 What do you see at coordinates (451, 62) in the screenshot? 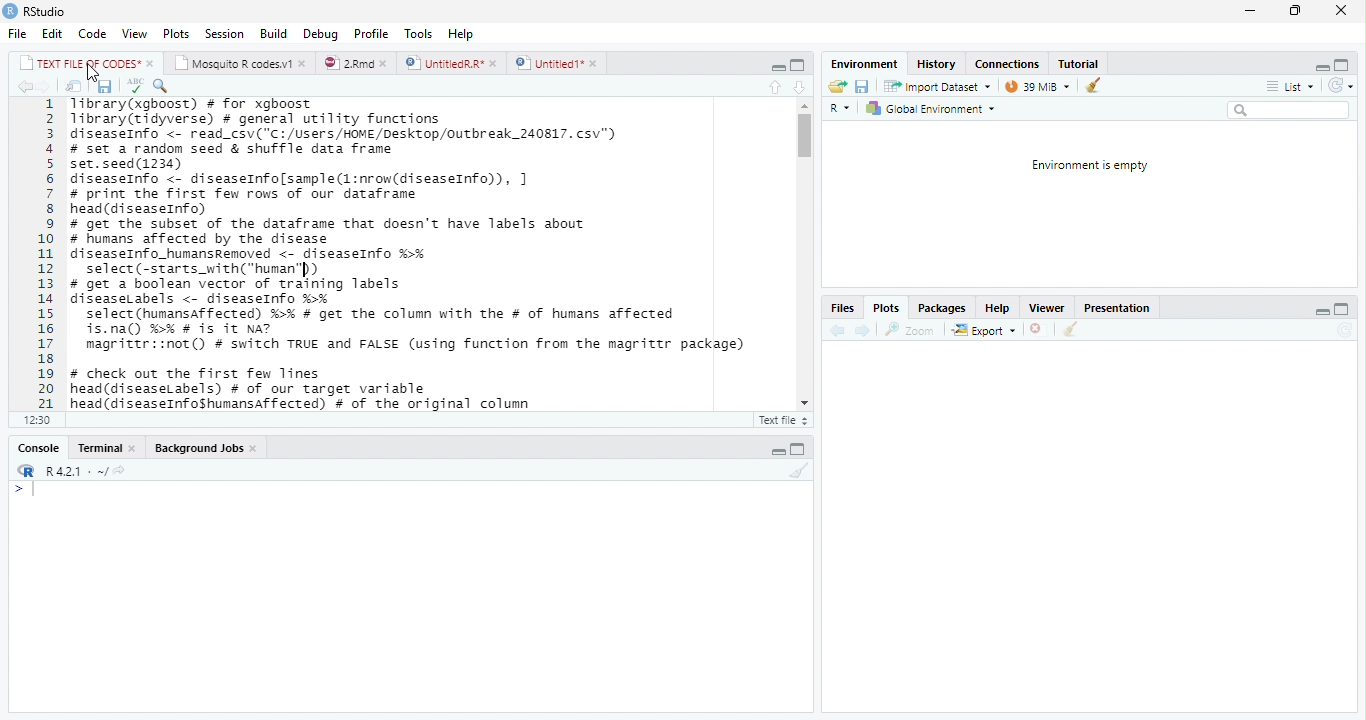
I see `UntitiedR.R* ` at bounding box center [451, 62].